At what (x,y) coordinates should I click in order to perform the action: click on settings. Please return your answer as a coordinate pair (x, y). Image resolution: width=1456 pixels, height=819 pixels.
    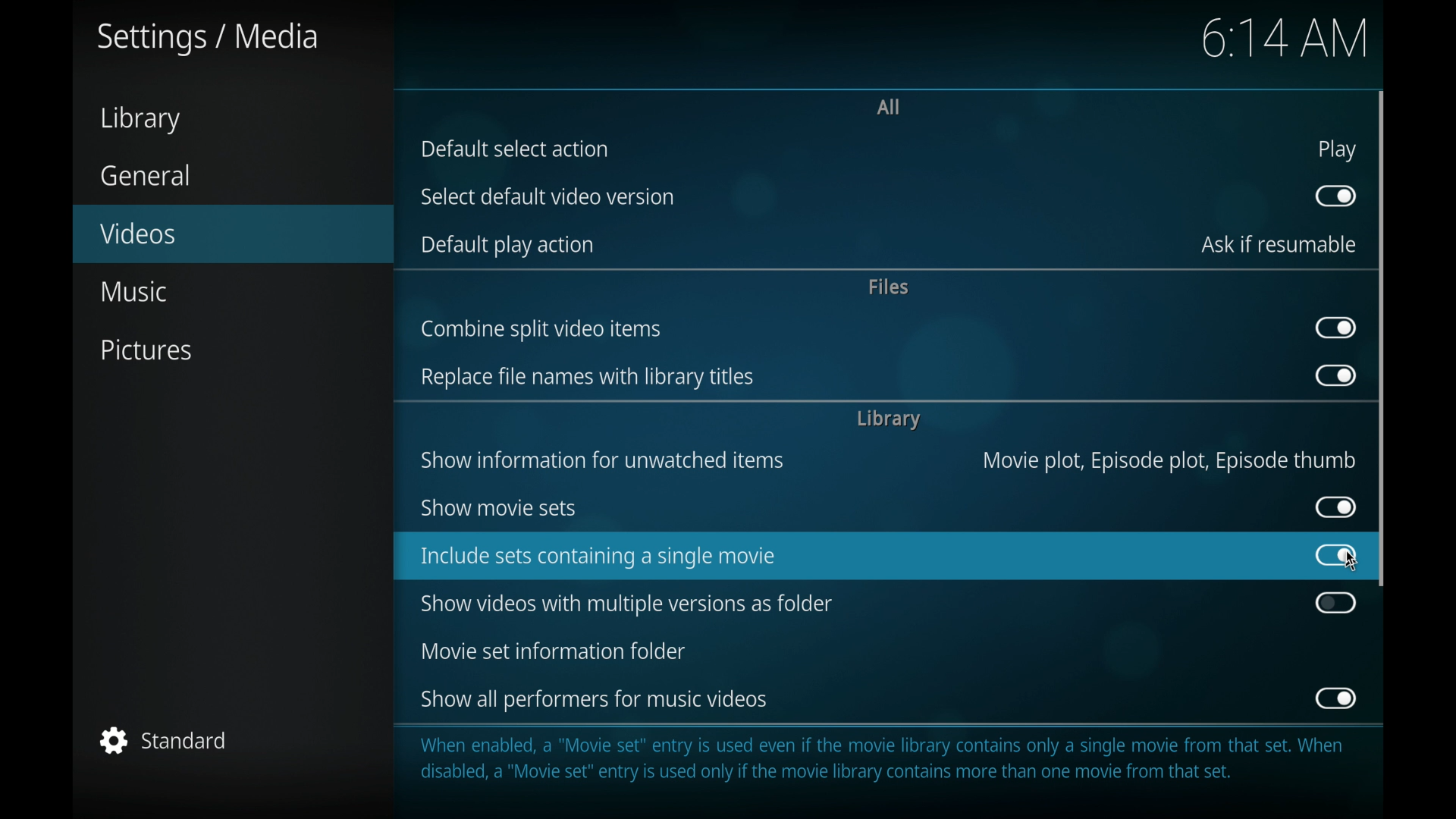
    Looking at the image, I should click on (208, 38).